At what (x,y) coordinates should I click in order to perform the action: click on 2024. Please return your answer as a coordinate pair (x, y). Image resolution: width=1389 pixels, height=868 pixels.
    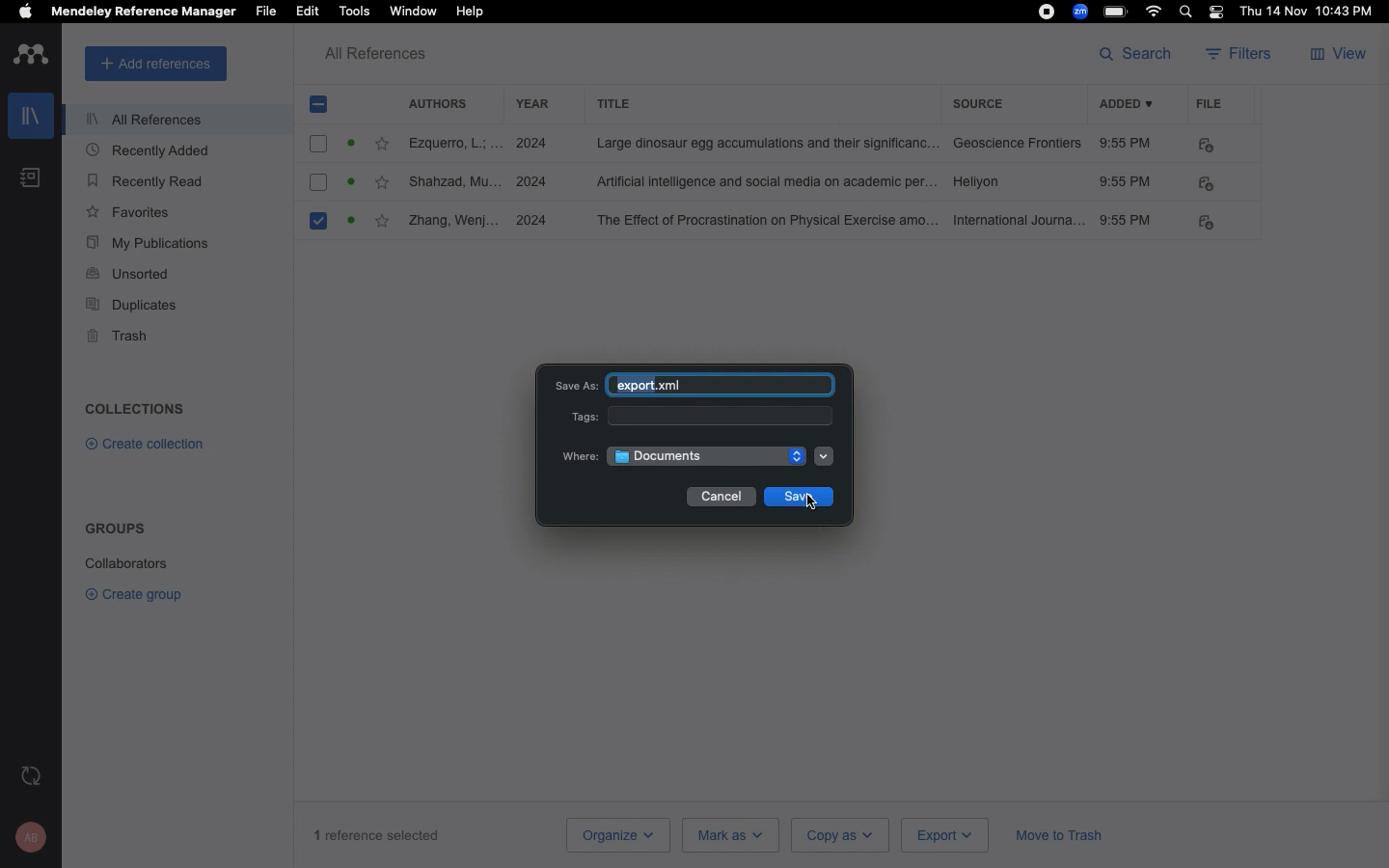
    Looking at the image, I should click on (531, 145).